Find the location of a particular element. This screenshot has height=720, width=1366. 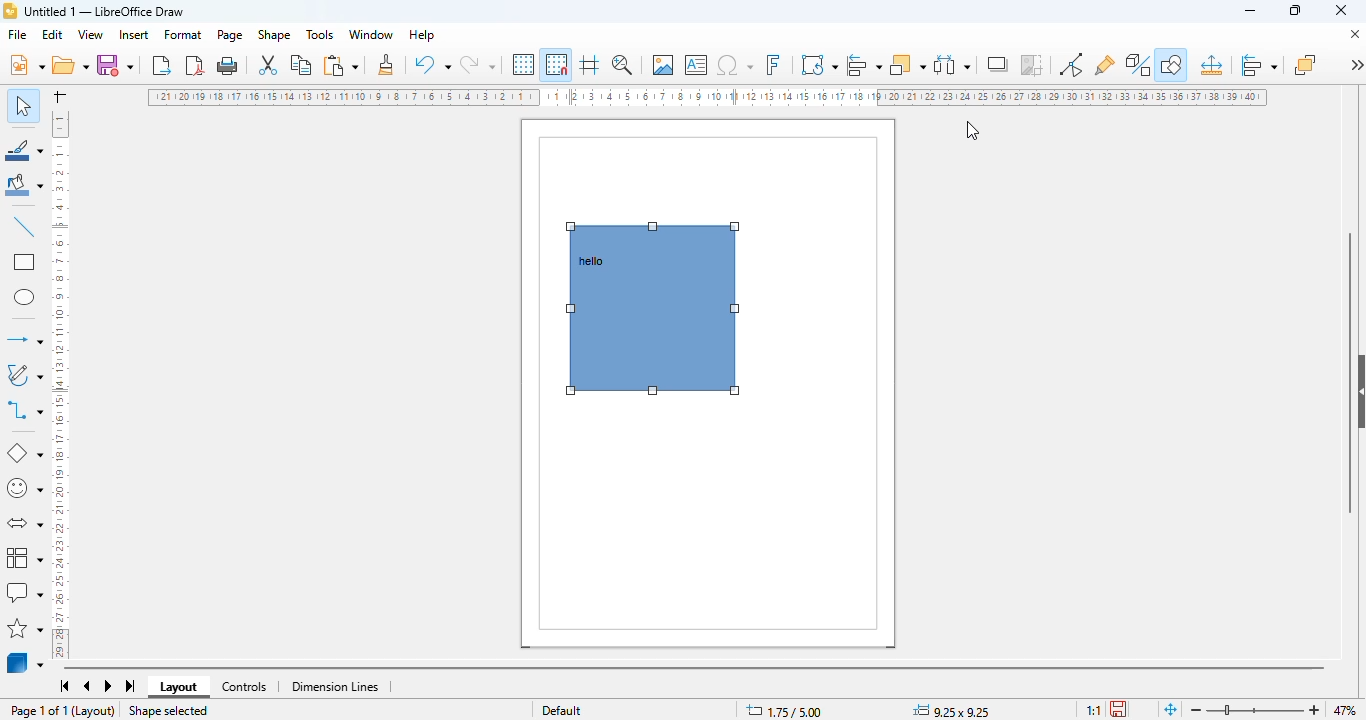

stars and banners is located at coordinates (26, 627).